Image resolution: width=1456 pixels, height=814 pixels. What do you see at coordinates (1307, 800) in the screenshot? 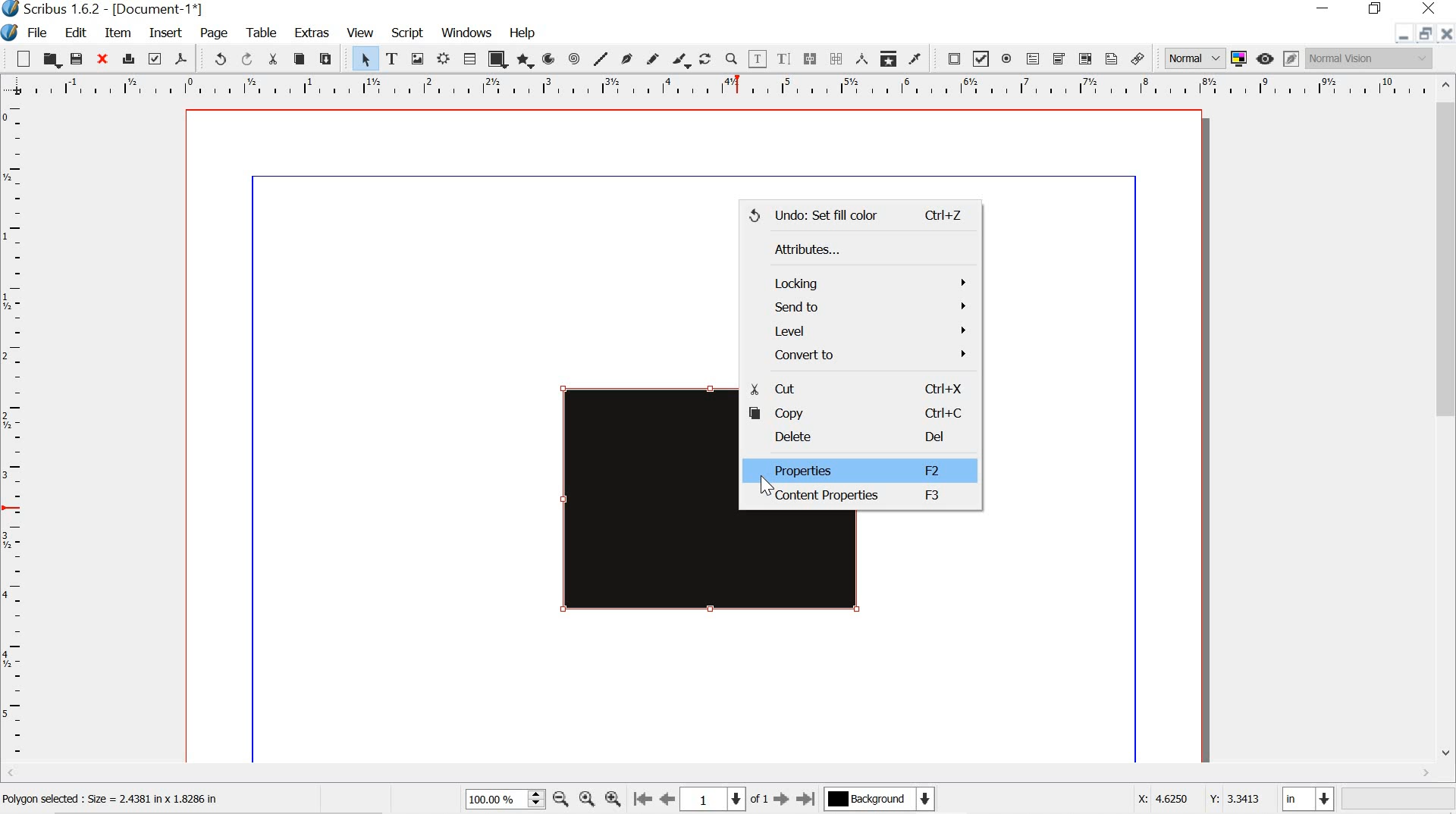
I see `in` at bounding box center [1307, 800].